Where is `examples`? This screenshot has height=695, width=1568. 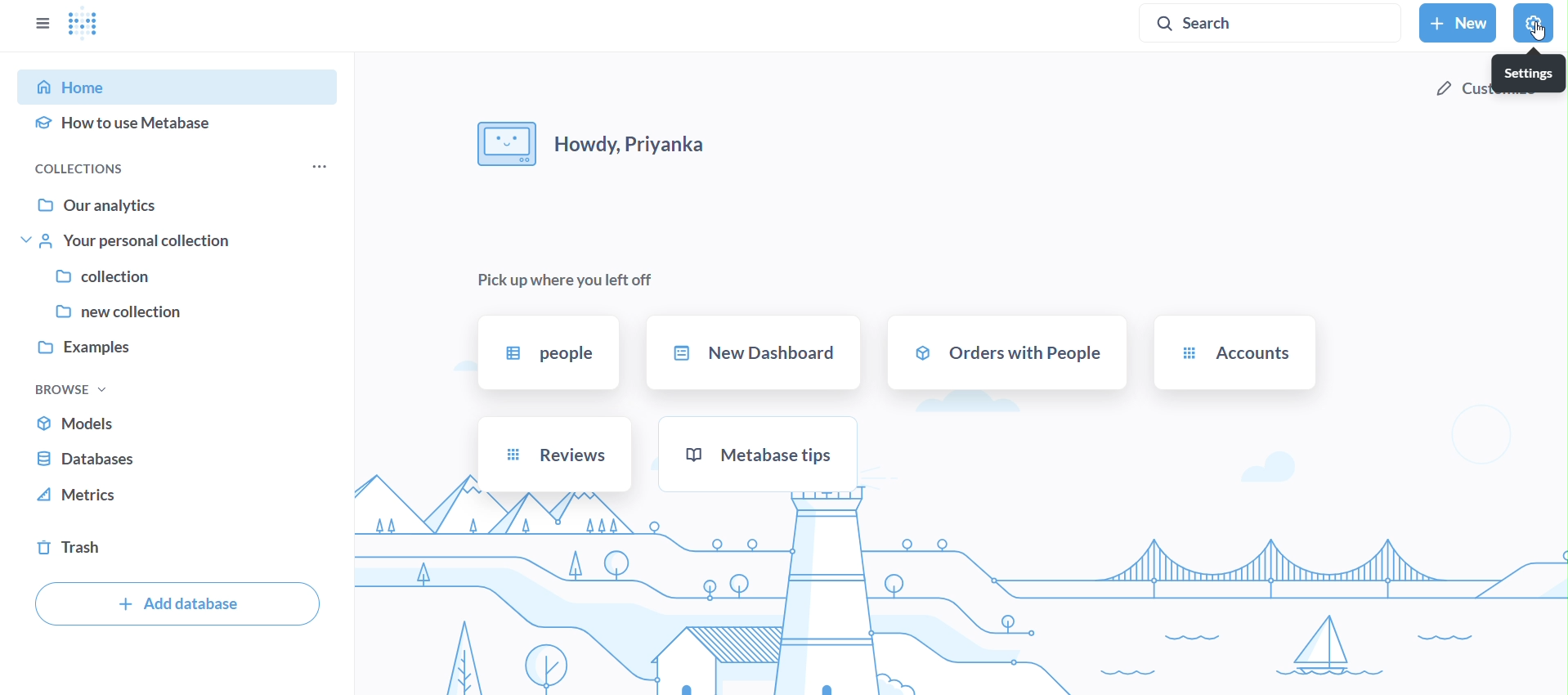 examples is located at coordinates (177, 349).